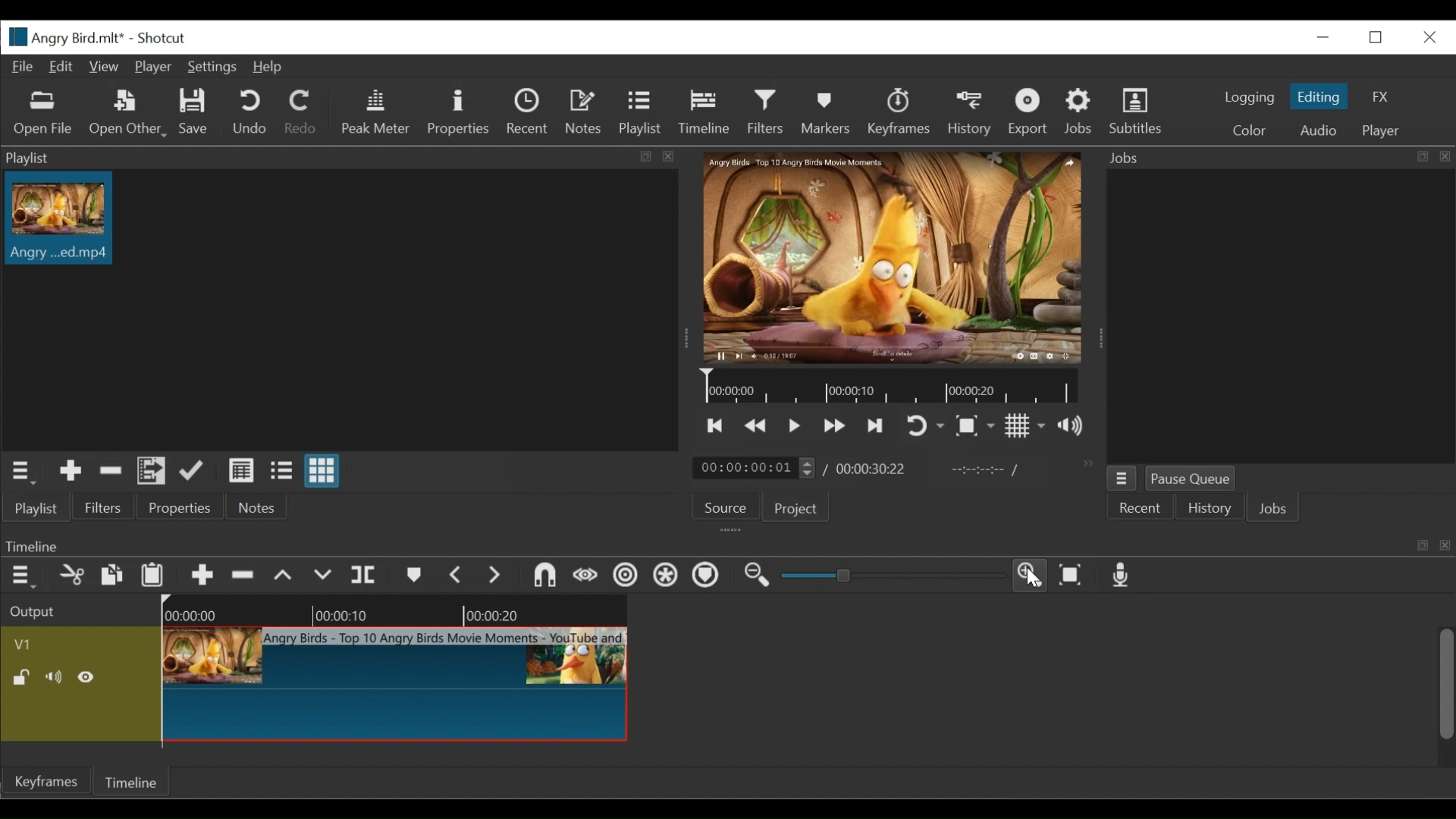 Image resolution: width=1456 pixels, height=819 pixels. What do you see at coordinates (1028, 114) in the screenshot?
I see `Export` at bounding box center [1028, 114].